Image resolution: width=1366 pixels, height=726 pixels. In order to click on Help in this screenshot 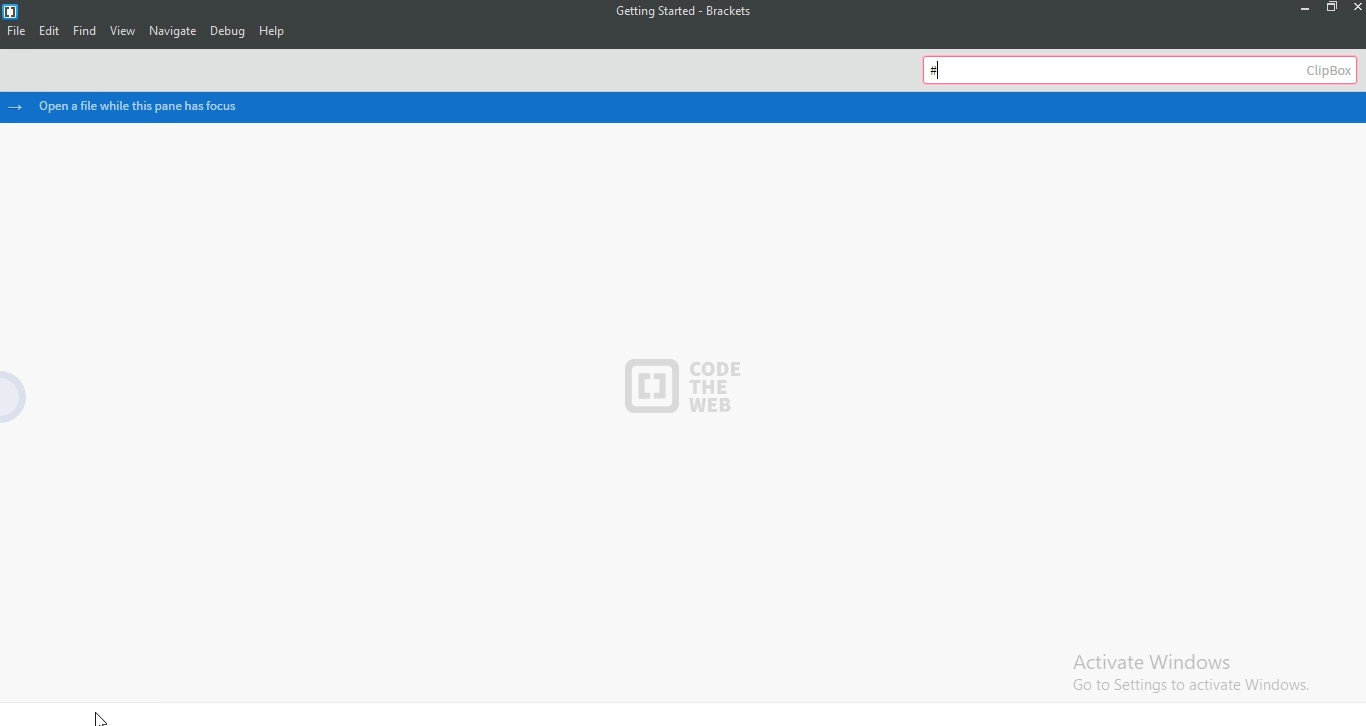, I will do `click(281, 30)`.